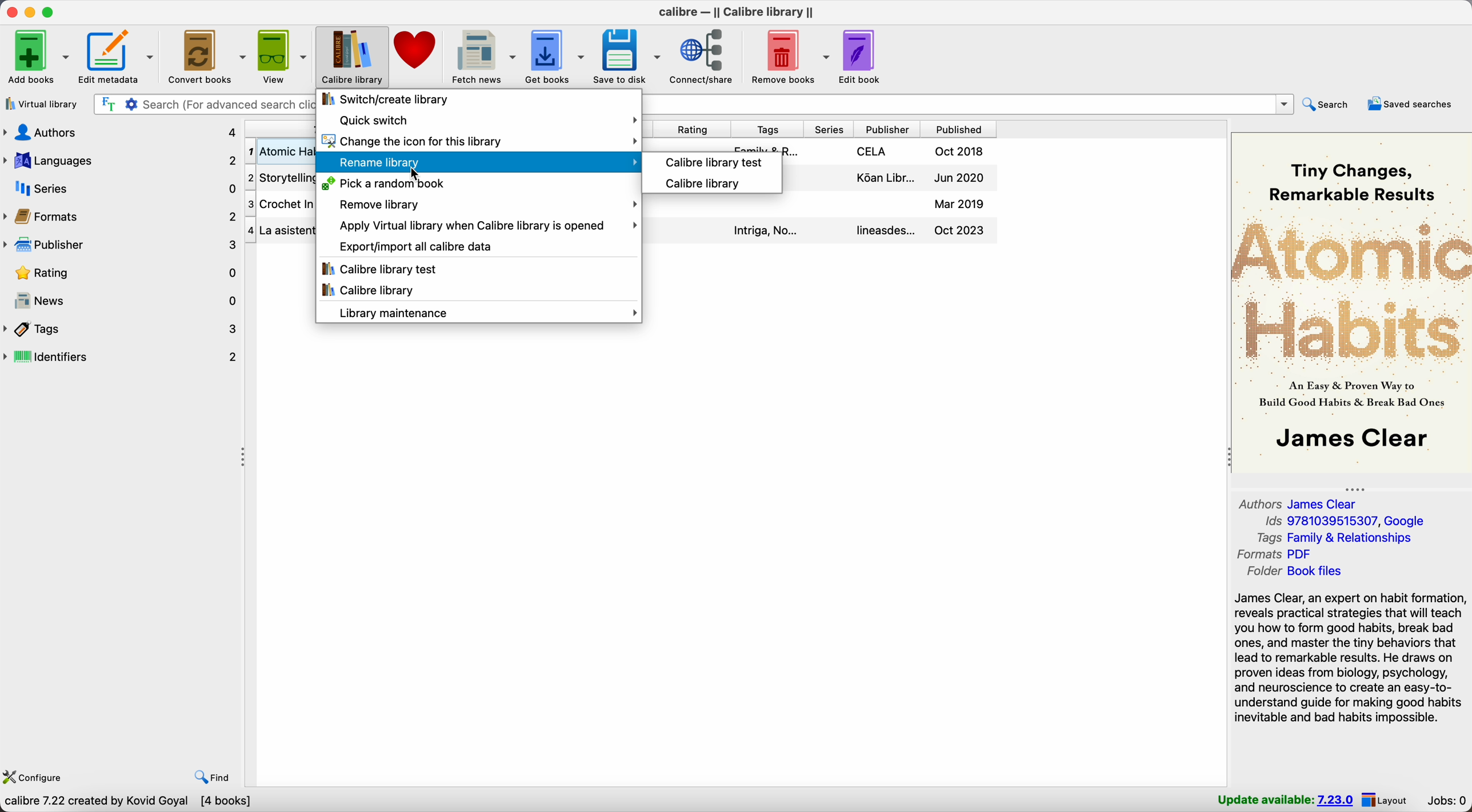  I want to click on update available: 7.23.0, so click(1283, 799).